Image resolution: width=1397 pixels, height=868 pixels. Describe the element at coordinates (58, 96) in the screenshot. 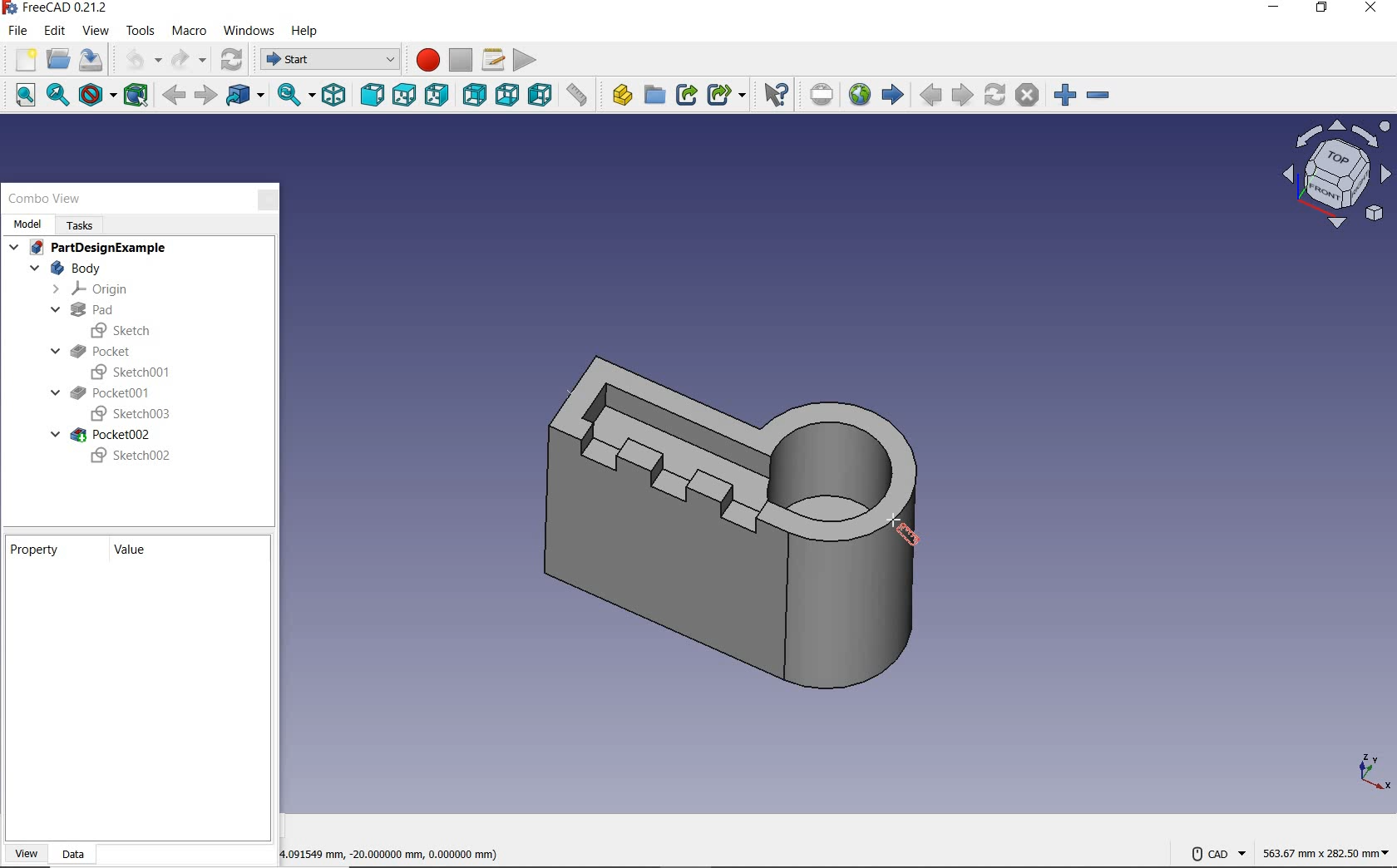

I see `fit selection` at that location.